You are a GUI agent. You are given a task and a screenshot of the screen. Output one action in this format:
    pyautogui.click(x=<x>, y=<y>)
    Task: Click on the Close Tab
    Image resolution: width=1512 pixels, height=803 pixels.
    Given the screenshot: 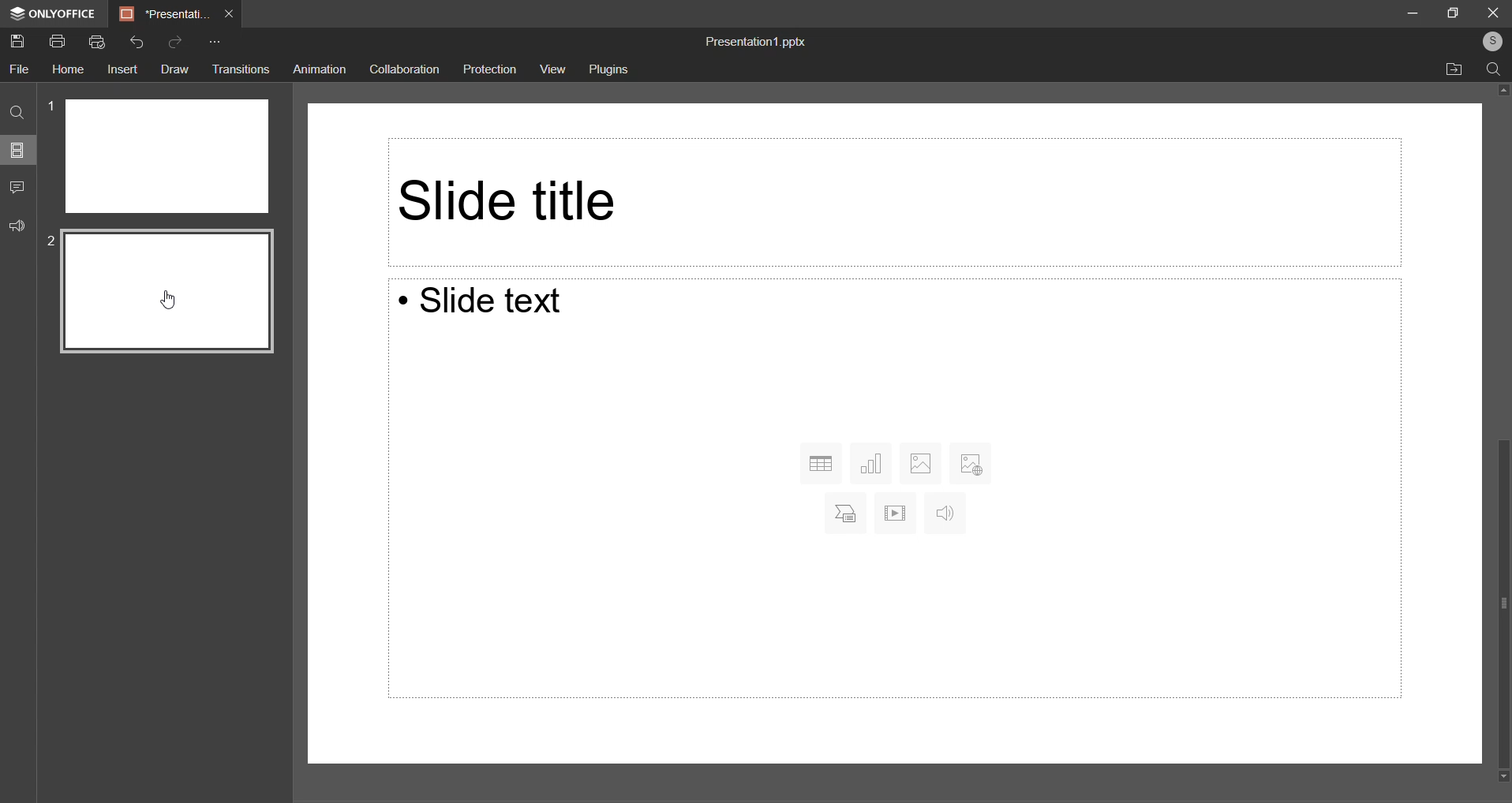 What is the action you would take?
    pyautogui.click(x=230, y=13)
    